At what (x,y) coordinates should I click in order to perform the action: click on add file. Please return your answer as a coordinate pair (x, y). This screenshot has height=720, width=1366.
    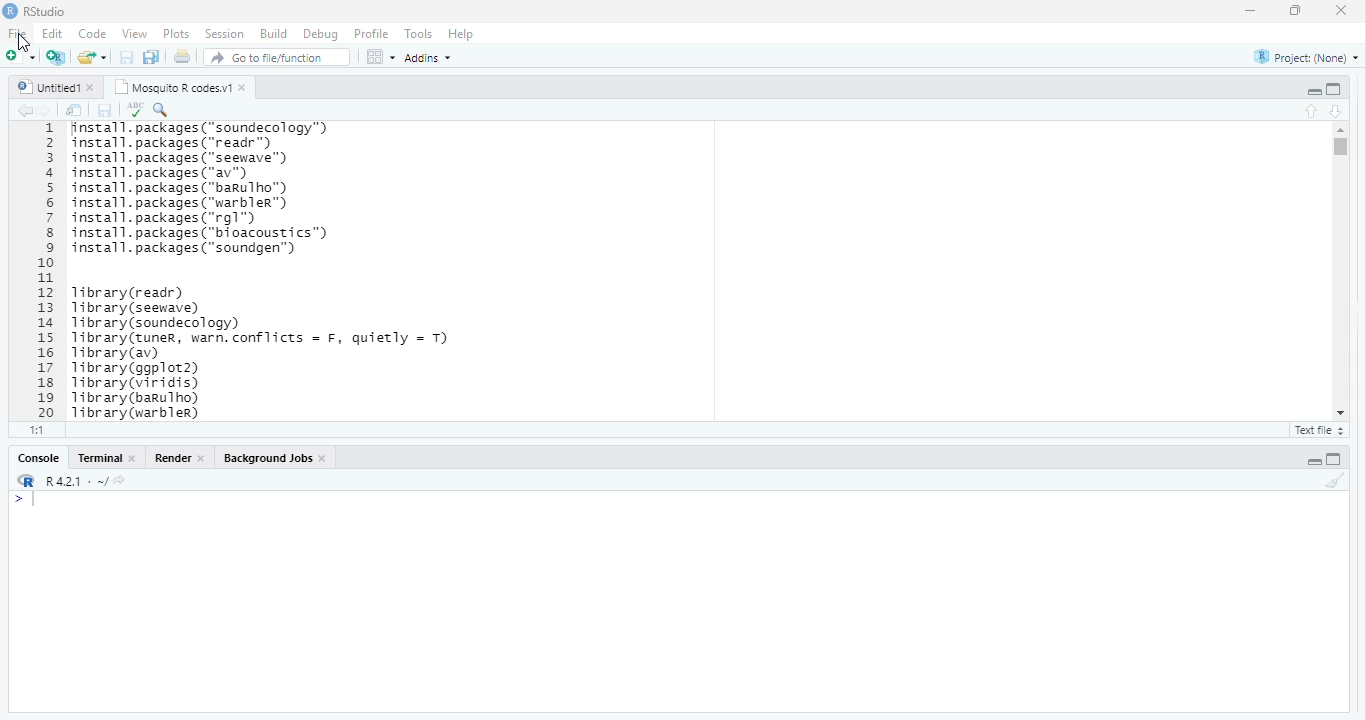
    Looking at the image, I should click on (57, 57).